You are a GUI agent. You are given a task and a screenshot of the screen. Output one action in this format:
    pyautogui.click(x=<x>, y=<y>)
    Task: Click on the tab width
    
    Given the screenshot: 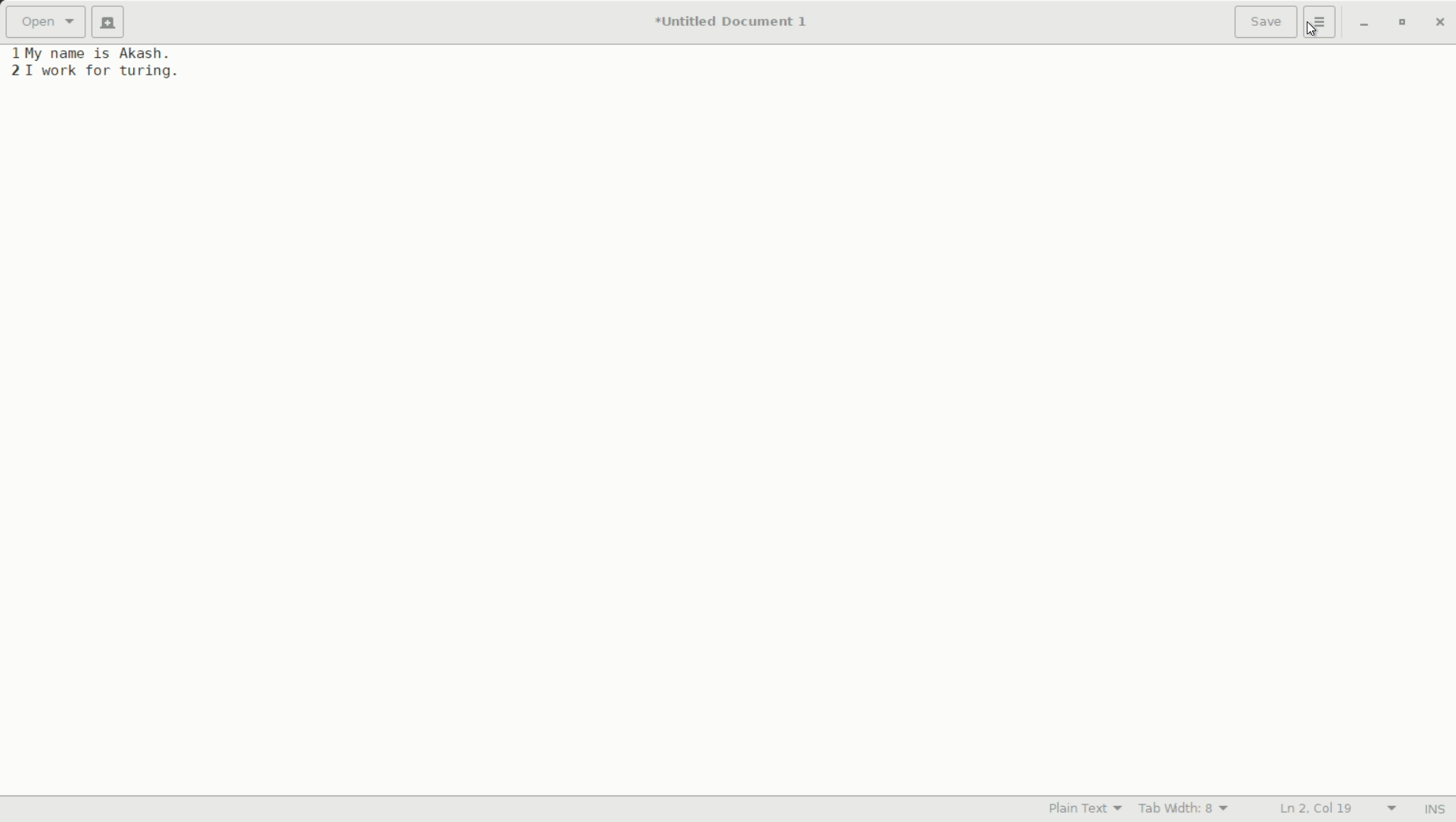 What is the action you would take?
    pyautogui.click(x=1187, y=808)
    